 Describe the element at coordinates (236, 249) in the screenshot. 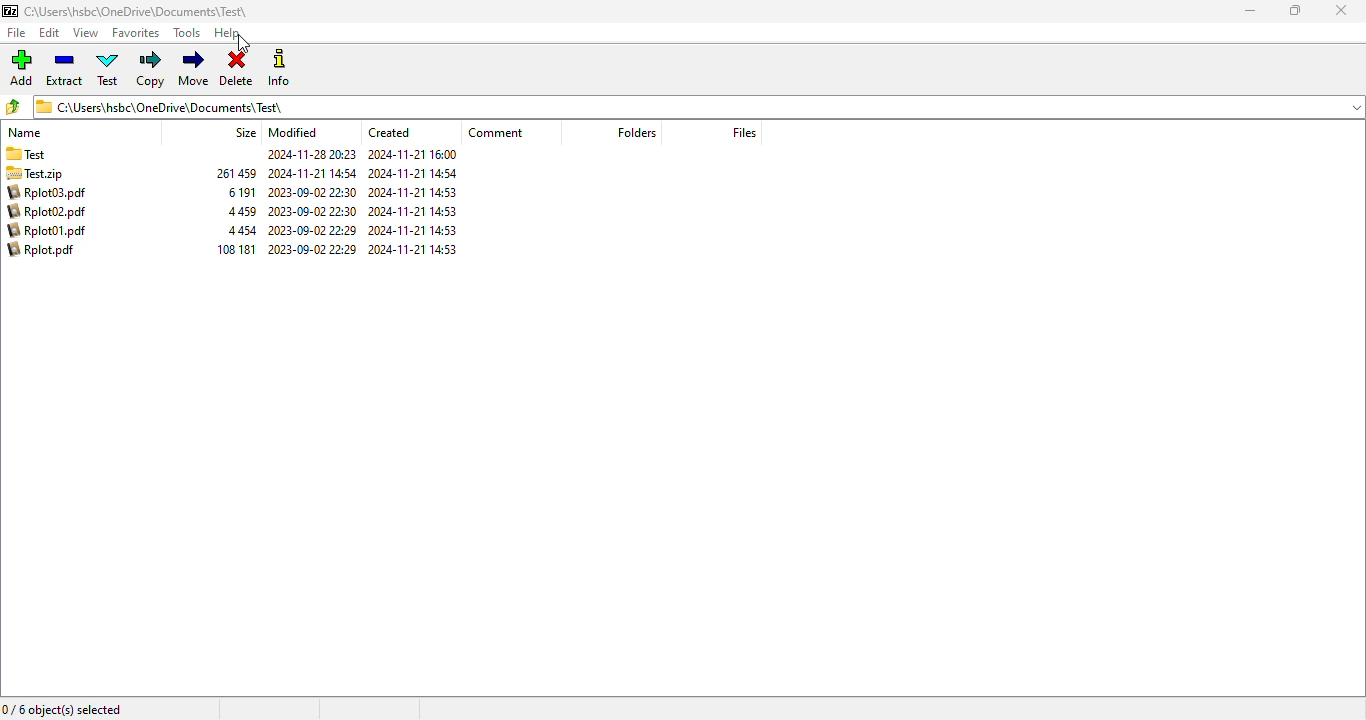

I see `108 181` at that location.